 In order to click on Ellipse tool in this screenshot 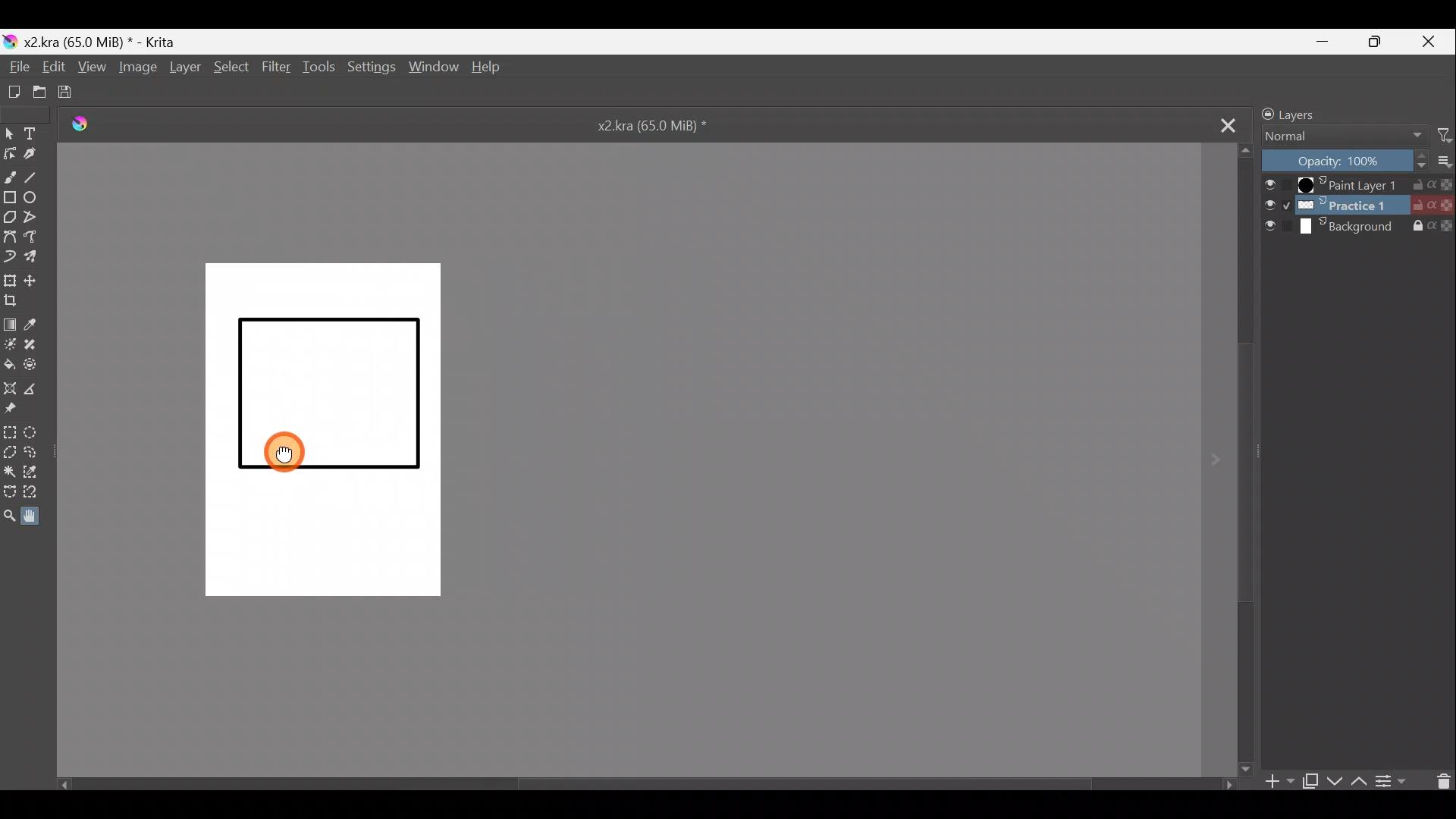, I will do `click(36, 196)`.